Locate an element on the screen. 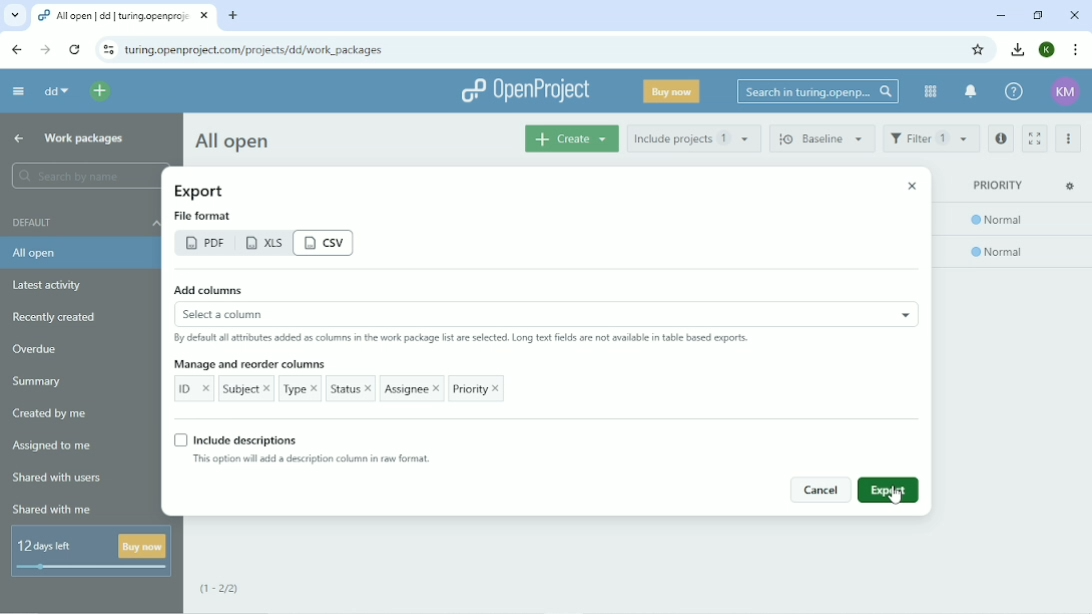 The width and height of the screenshot is (1092, 614). Search is located at coordinates (816, 91).